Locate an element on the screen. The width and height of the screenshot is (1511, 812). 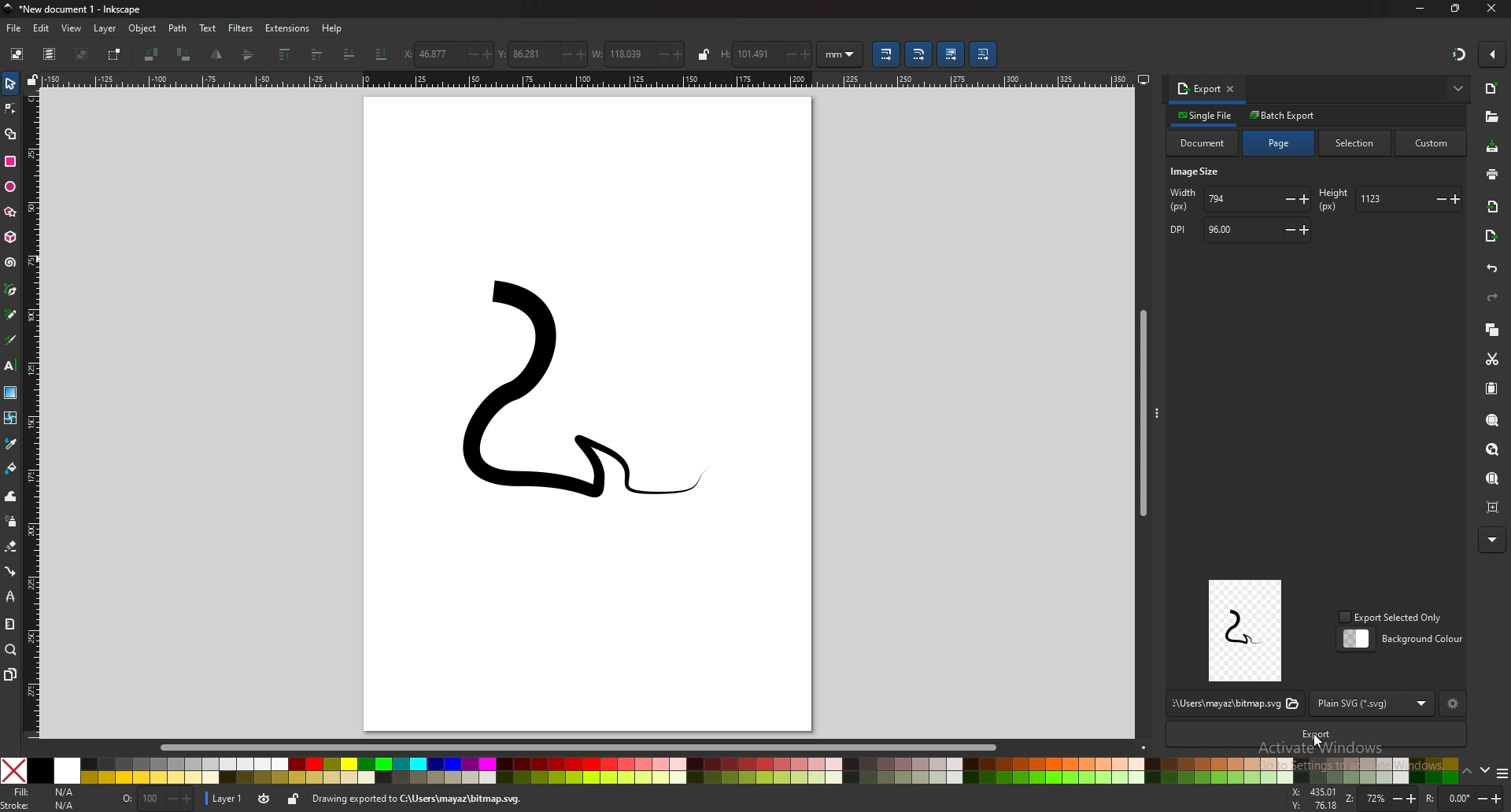
x coordinates is located at coordinates (449, 54).